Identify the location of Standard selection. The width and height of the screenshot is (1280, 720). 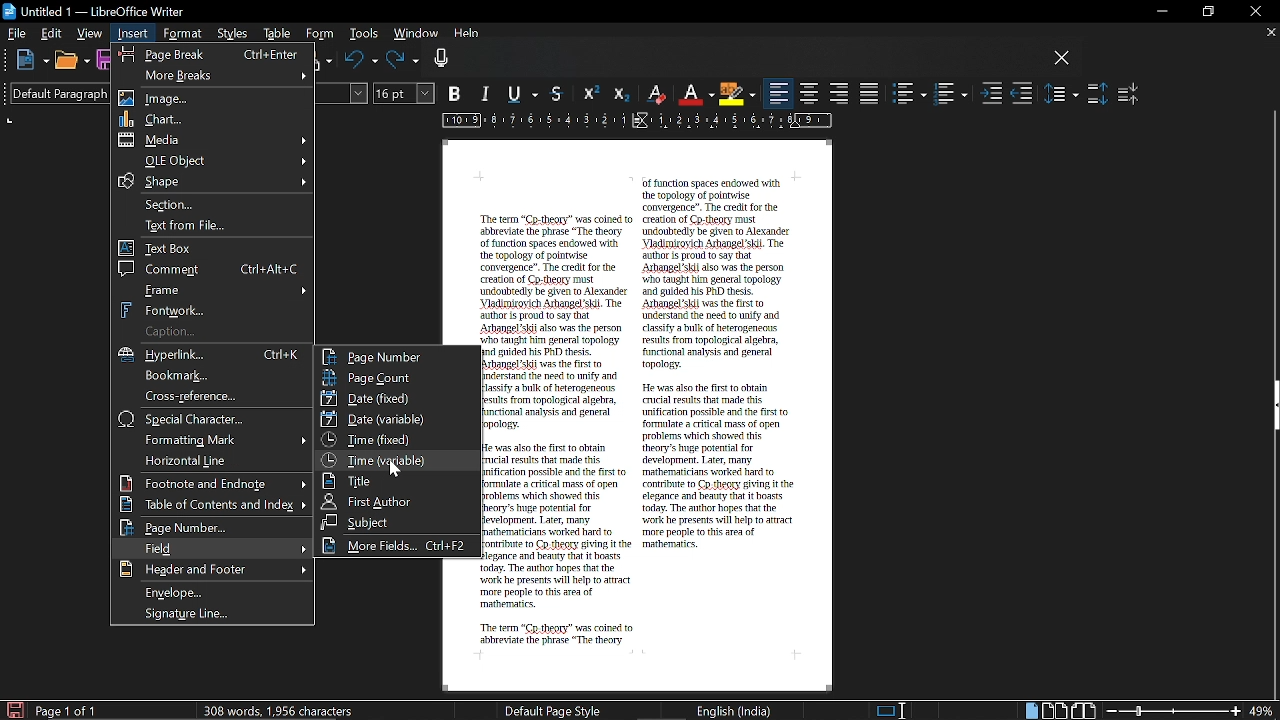
(892, 710).